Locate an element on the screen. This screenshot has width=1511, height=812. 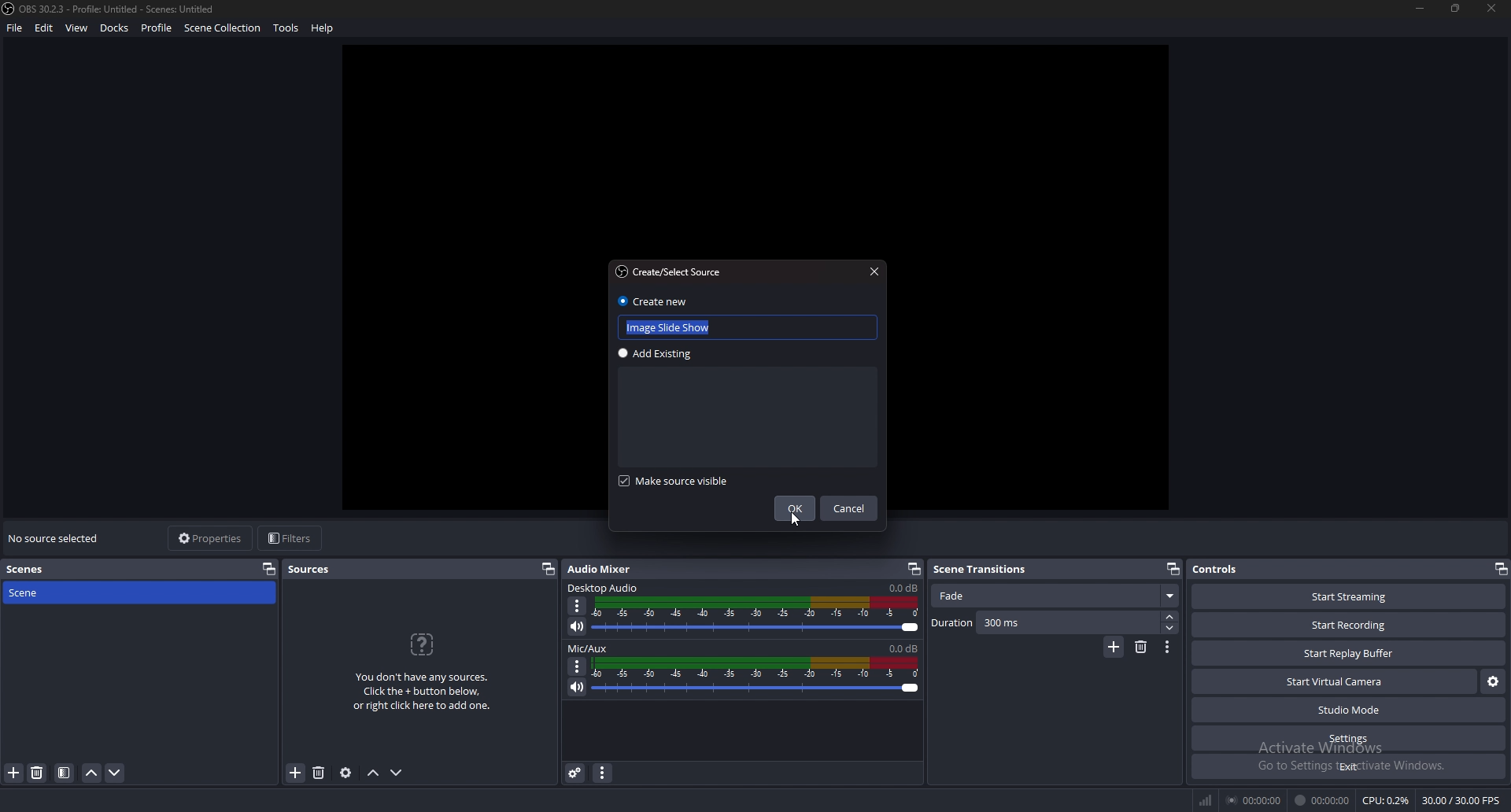
remove transition is located at coordinates (1140, 648).